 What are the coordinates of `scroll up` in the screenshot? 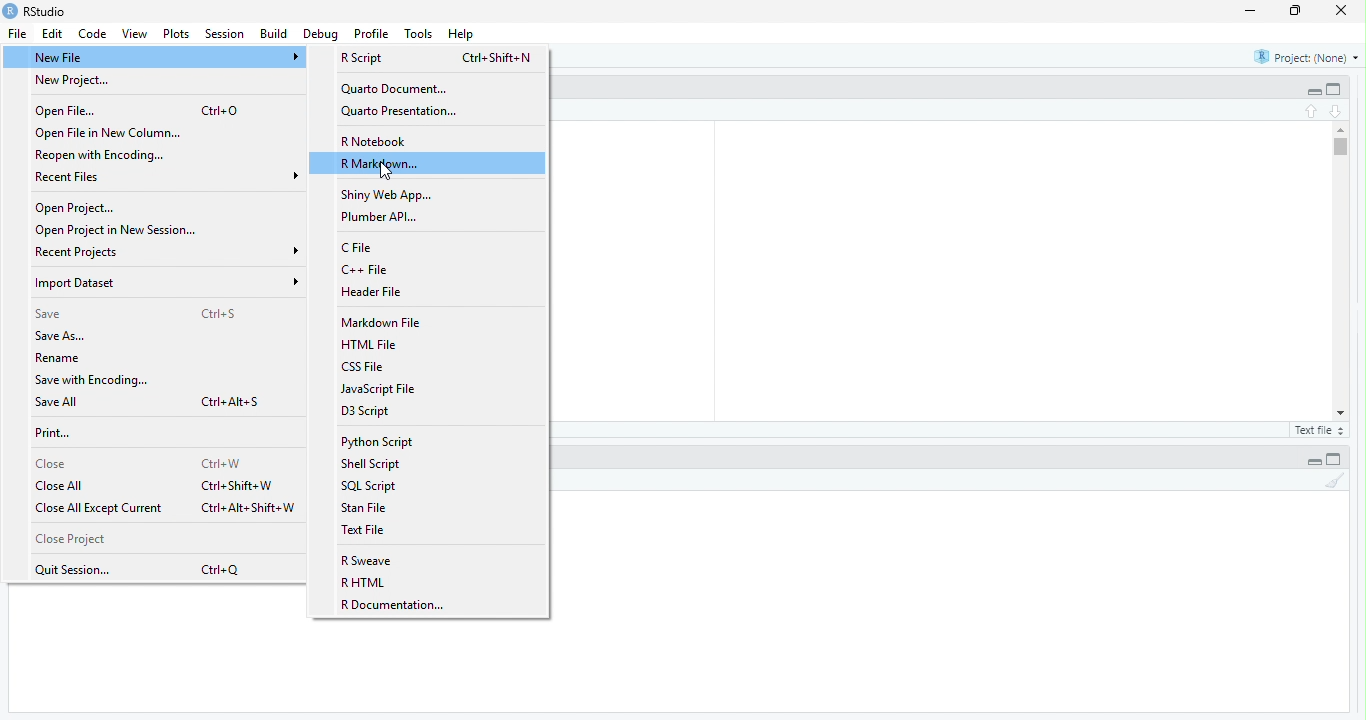 It's located at (1342, 130).